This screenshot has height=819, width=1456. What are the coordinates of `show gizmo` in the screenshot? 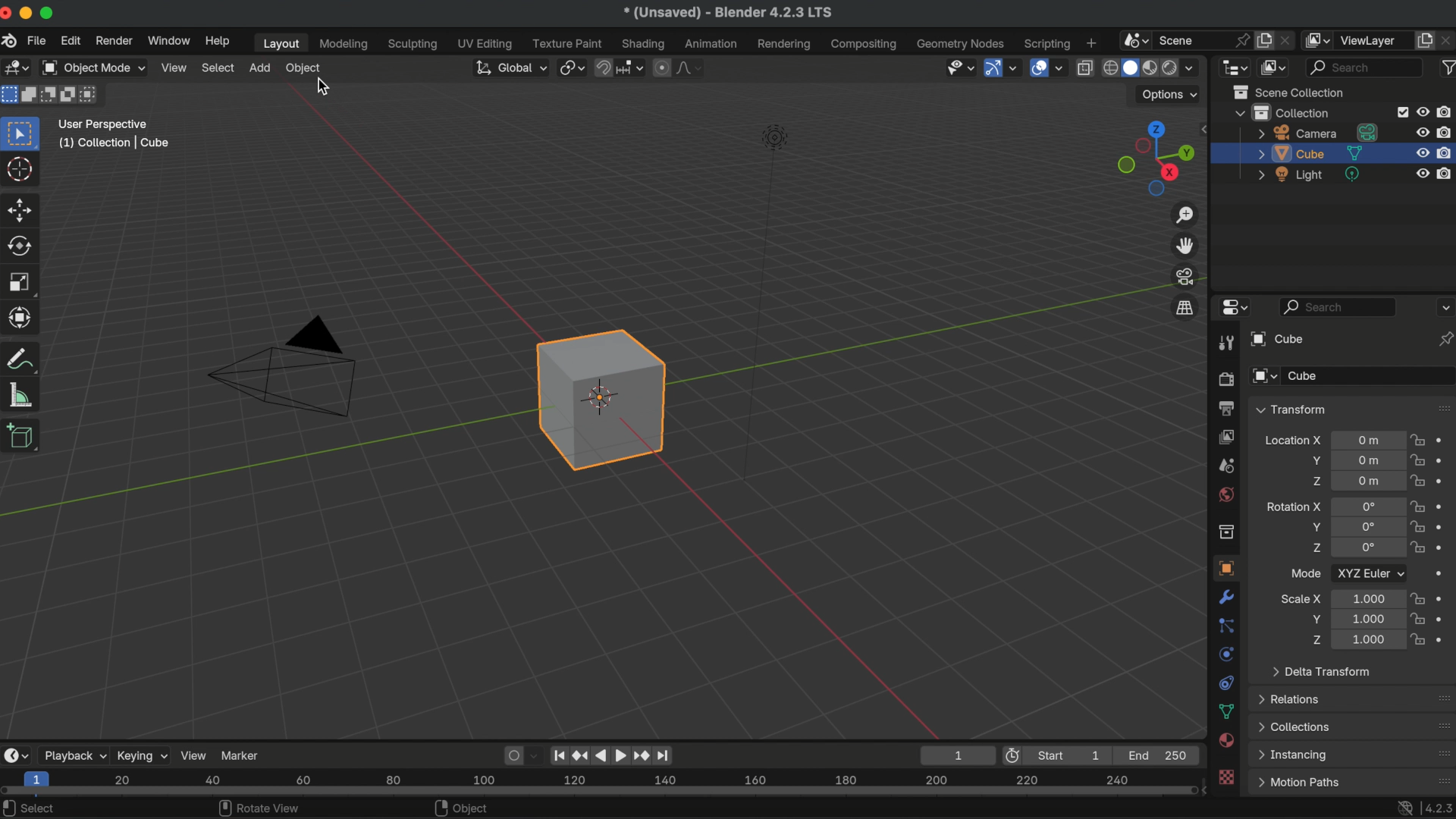 It's located at (992, 69).